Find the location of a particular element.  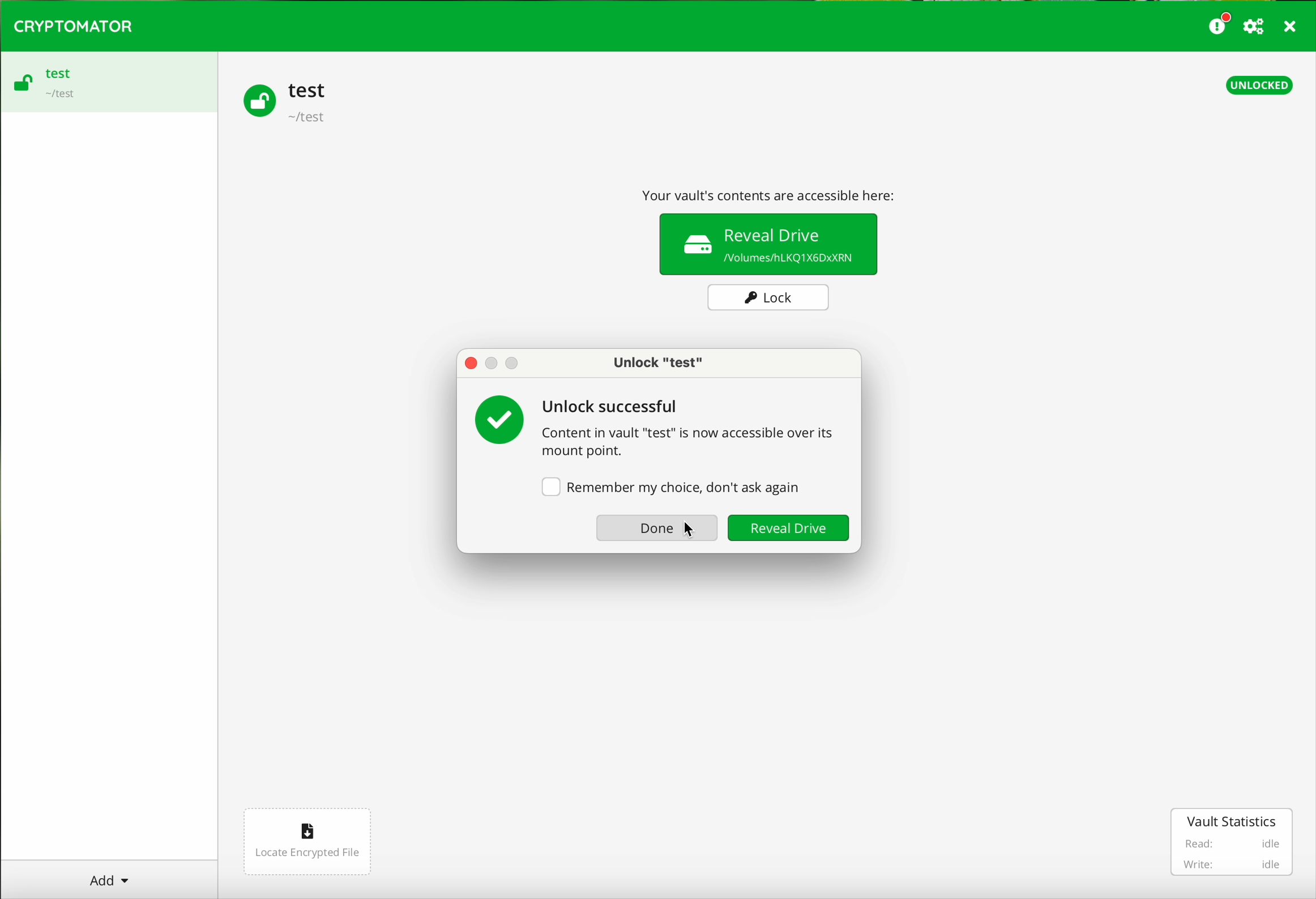

Remember my choice, don't ask again is located at coordinates (671, 484).